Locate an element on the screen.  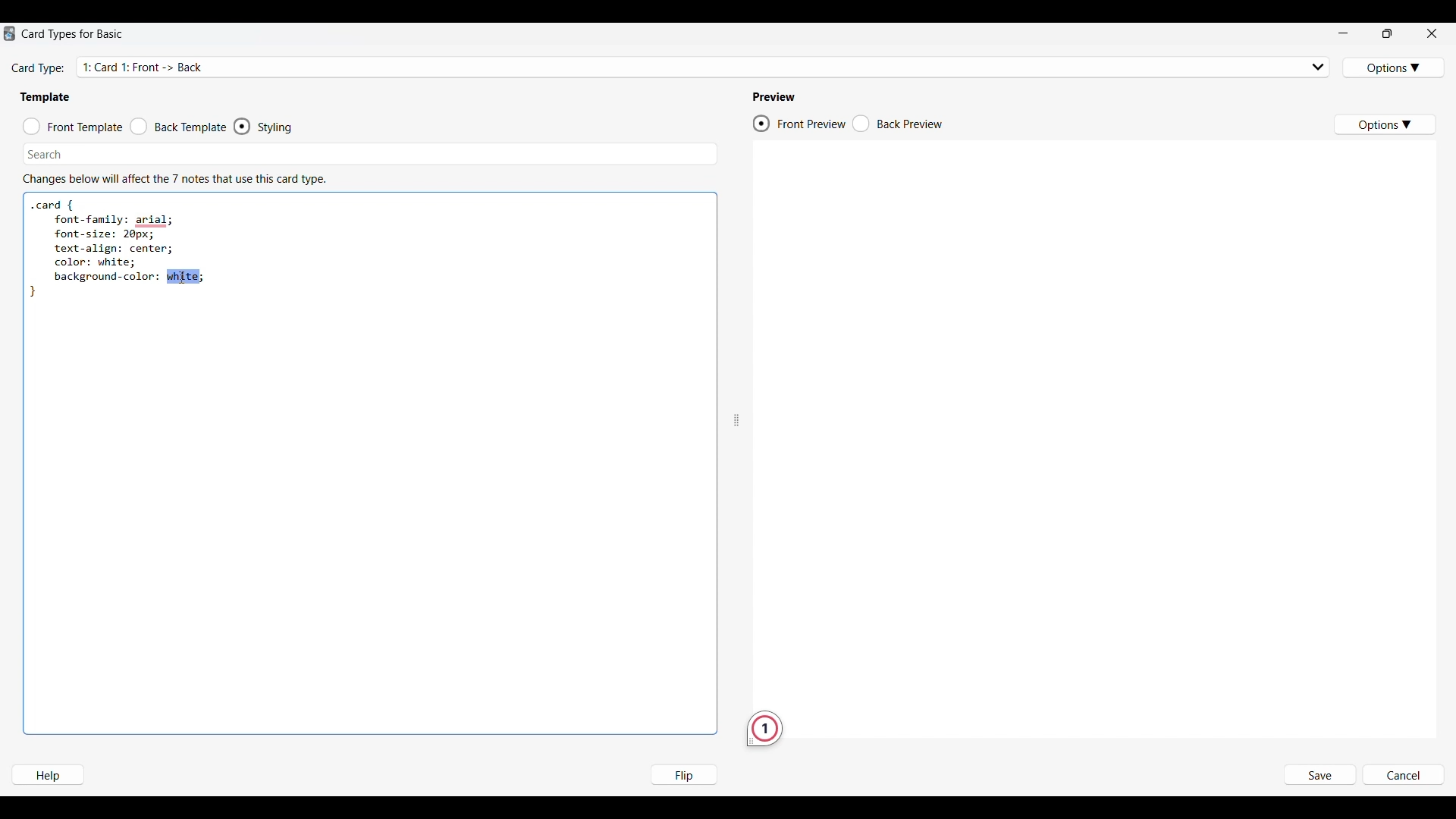
Window name is located at coordinates (74, 34).